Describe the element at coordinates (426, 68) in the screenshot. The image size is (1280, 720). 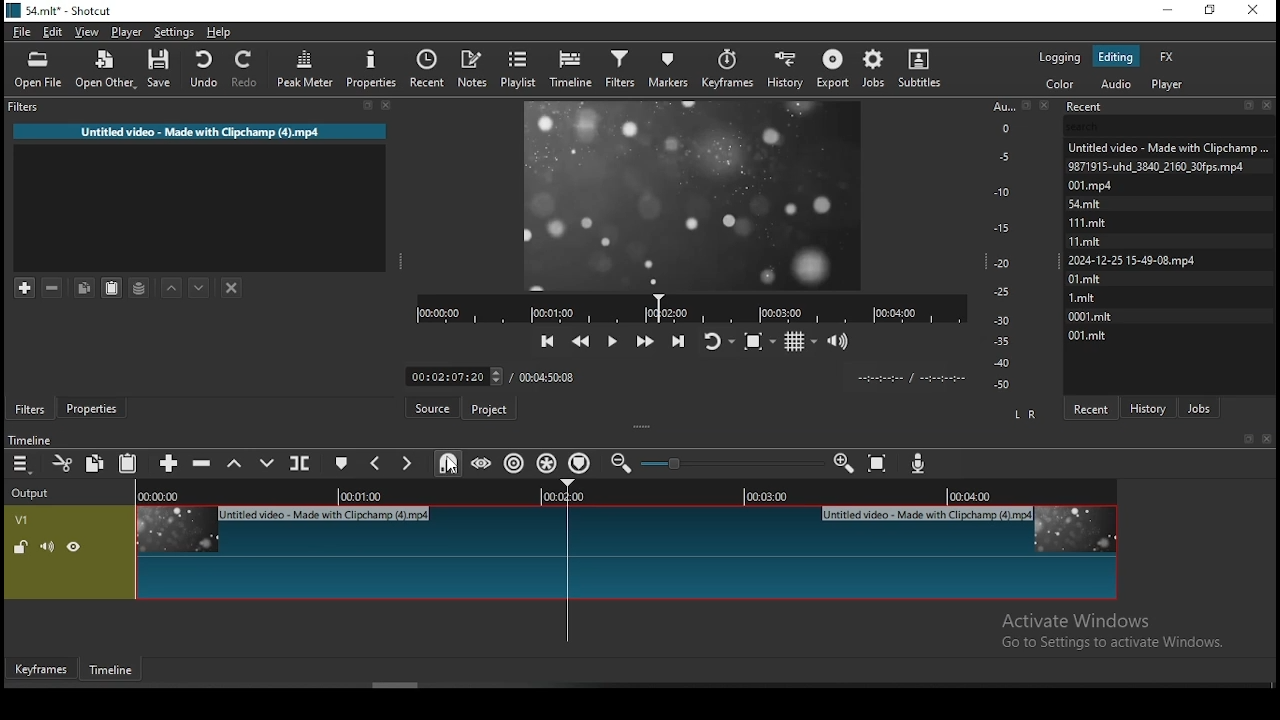
I see `recent` at that location.